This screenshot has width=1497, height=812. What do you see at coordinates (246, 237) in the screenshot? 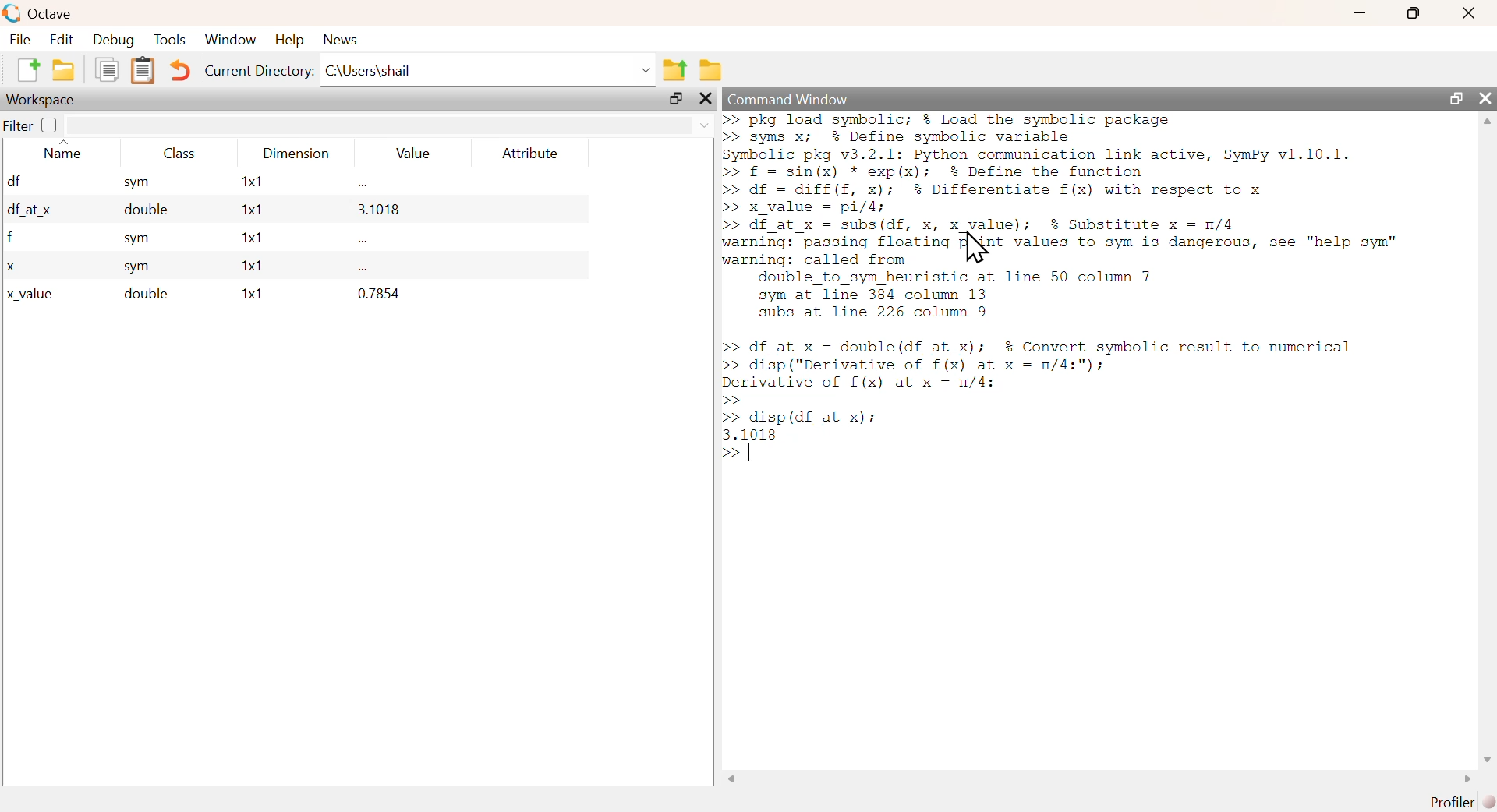
I see `1x1` at bounding box center [246, 237].